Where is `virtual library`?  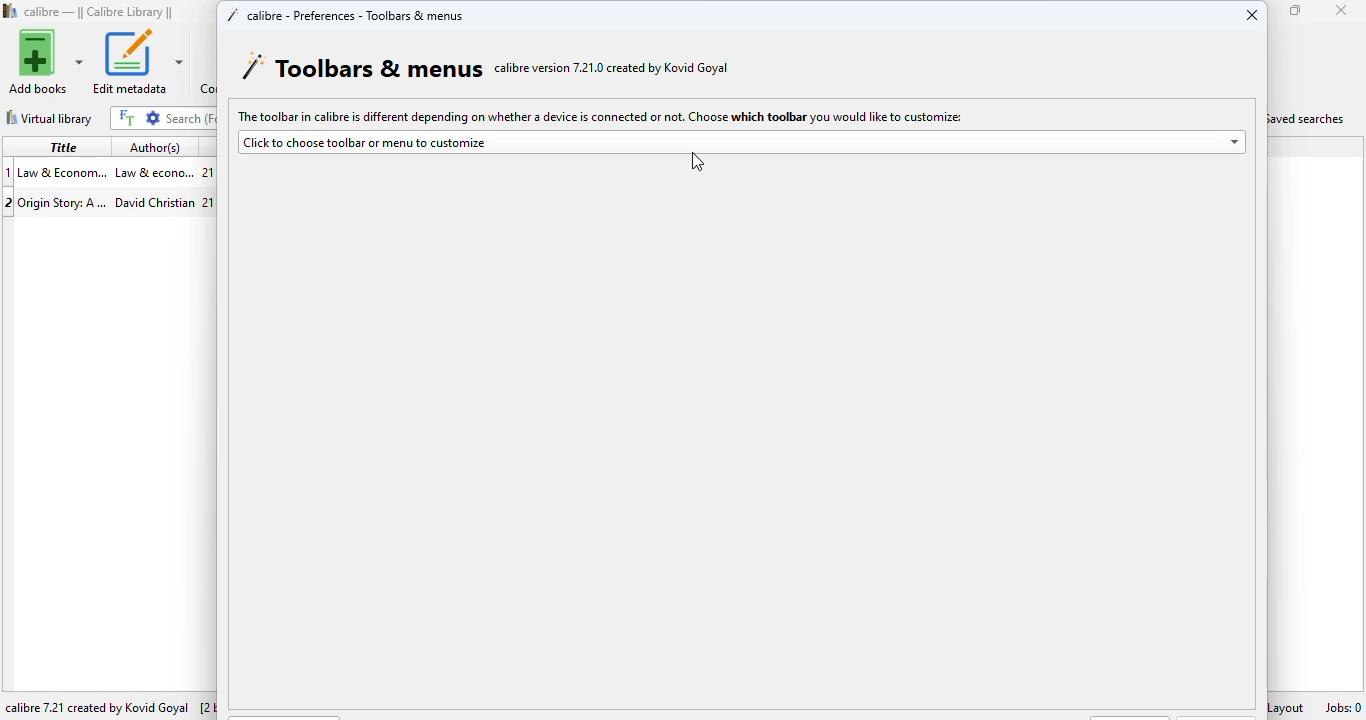 virtual library is located at coordinates (49, 118).